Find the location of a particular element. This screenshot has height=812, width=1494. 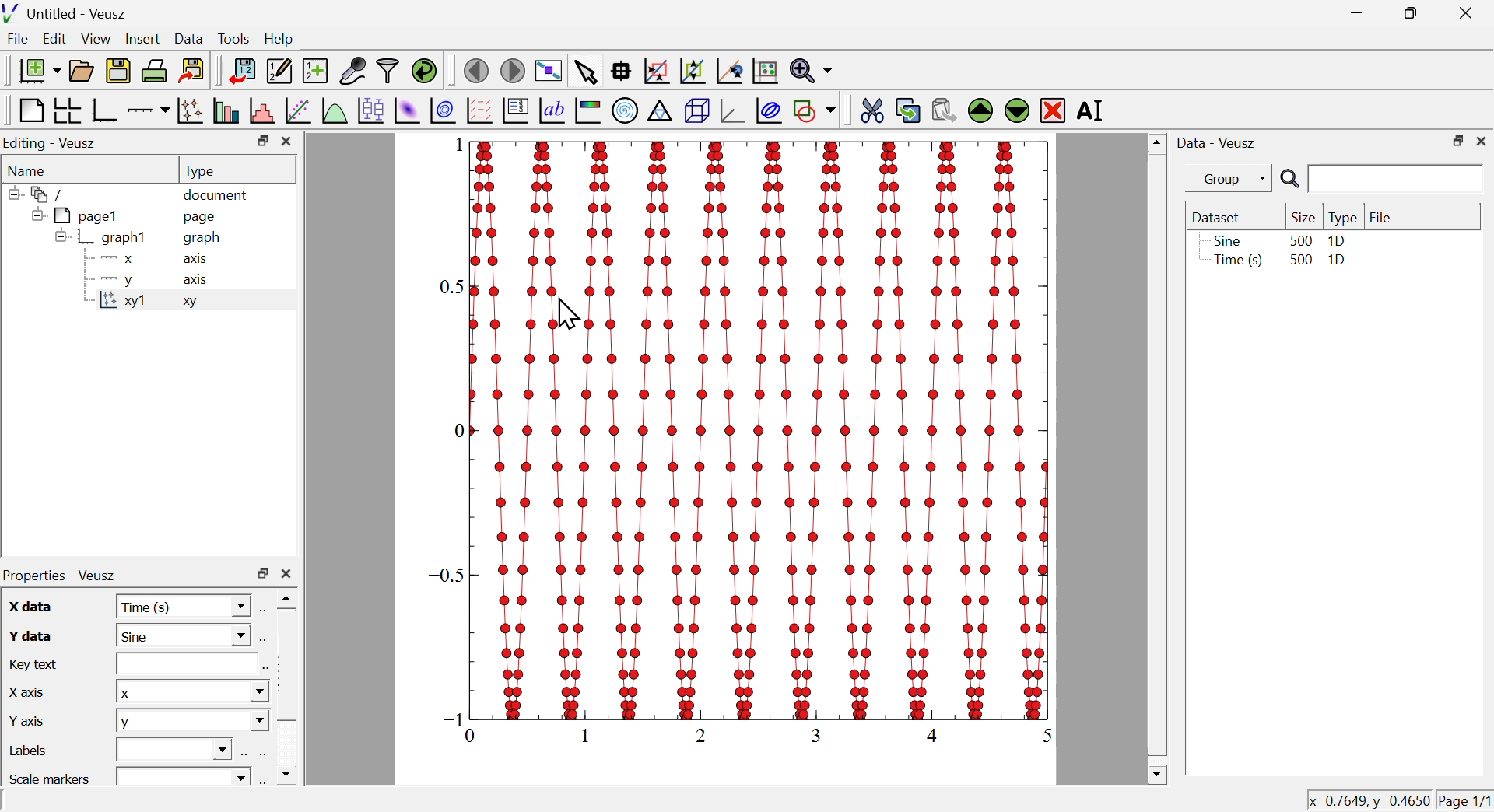

edit and enter new datasets is located at coordinates (278, 71).